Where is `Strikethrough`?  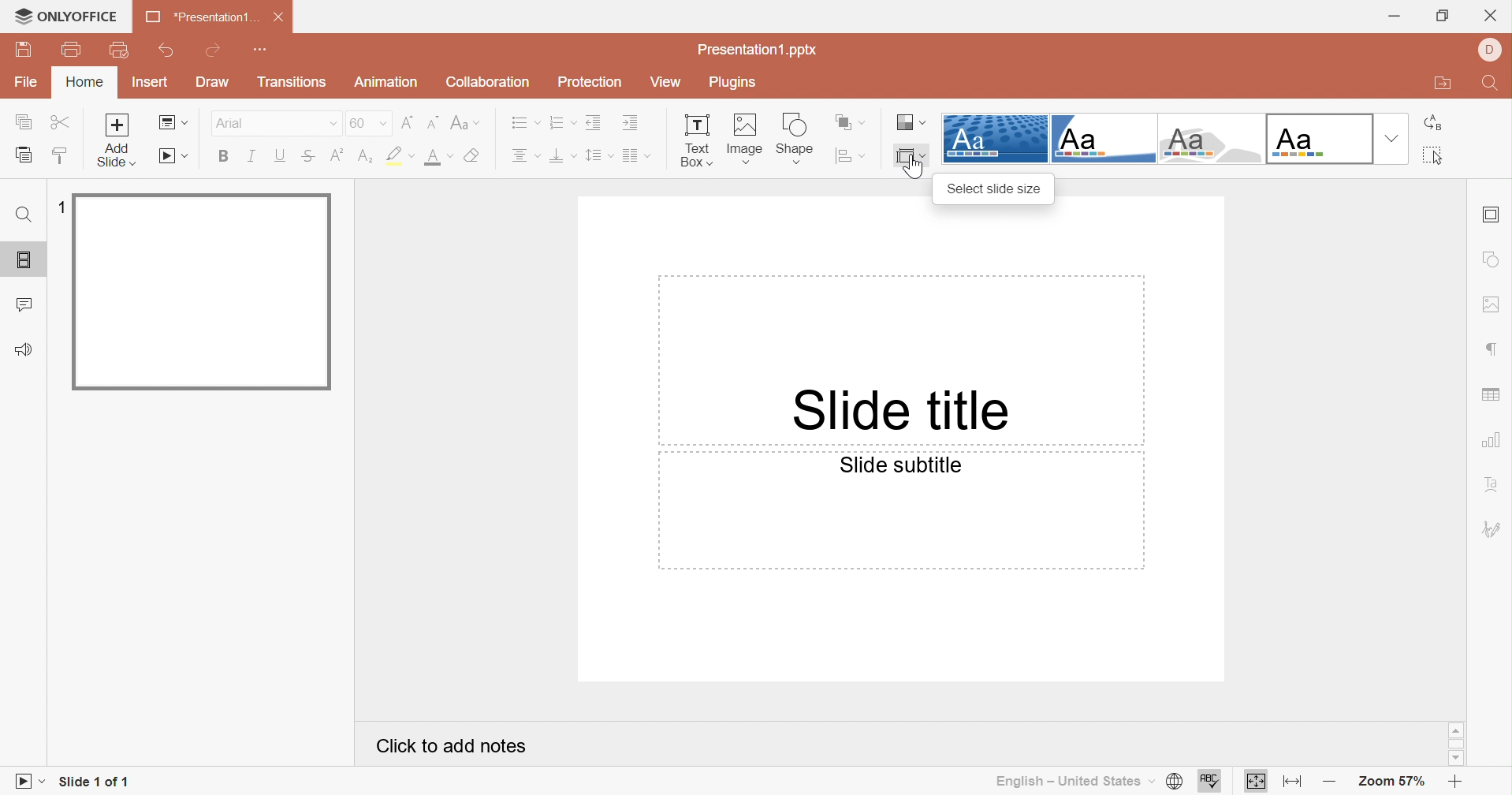
Strikethrough is located at coordinates (307, 155).